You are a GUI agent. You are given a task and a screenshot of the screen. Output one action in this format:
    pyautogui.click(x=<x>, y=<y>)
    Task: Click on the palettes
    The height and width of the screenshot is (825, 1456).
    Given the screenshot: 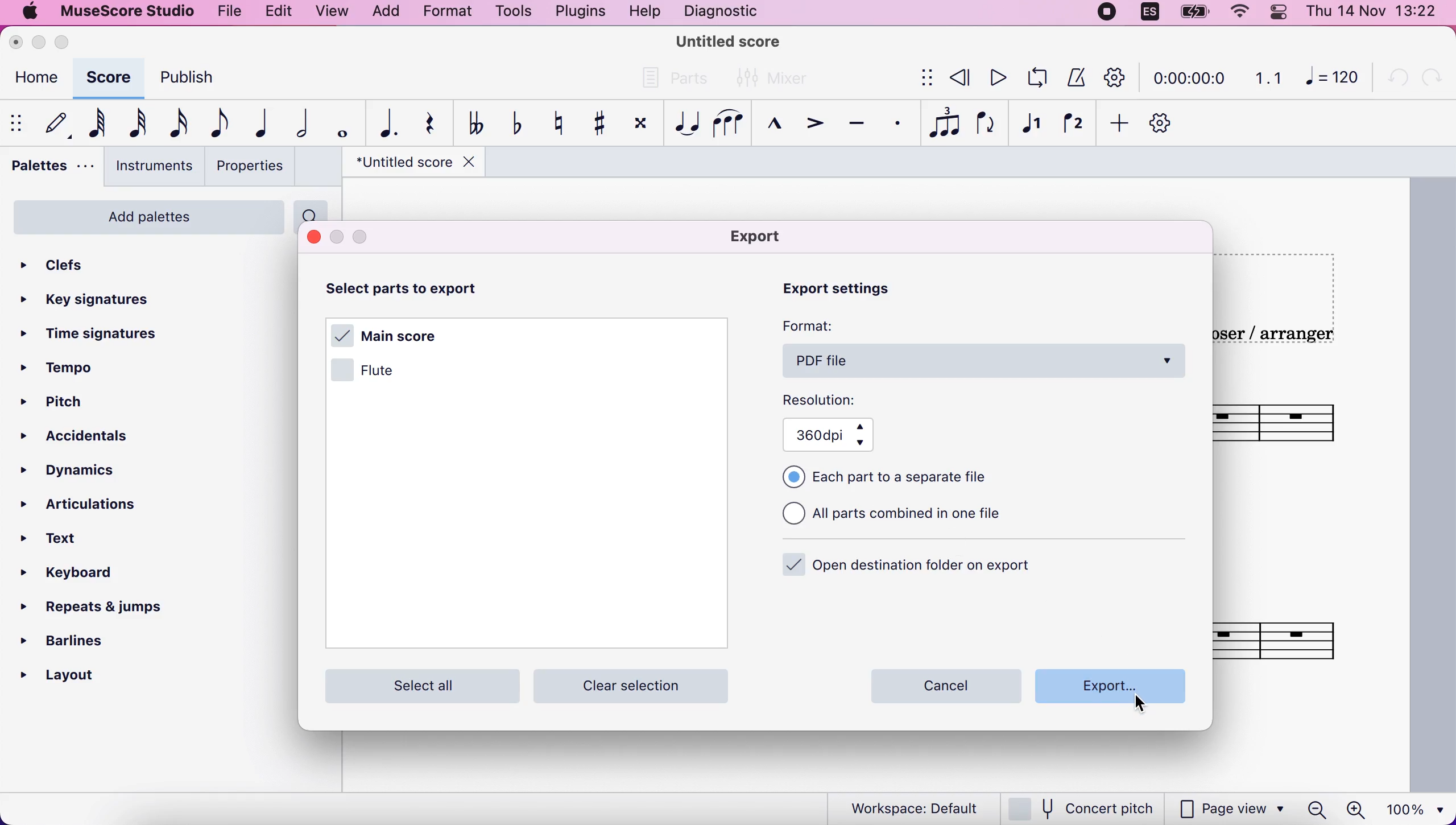 What is the action you would take?
    pyautogui.click(x=49, y=169)
    